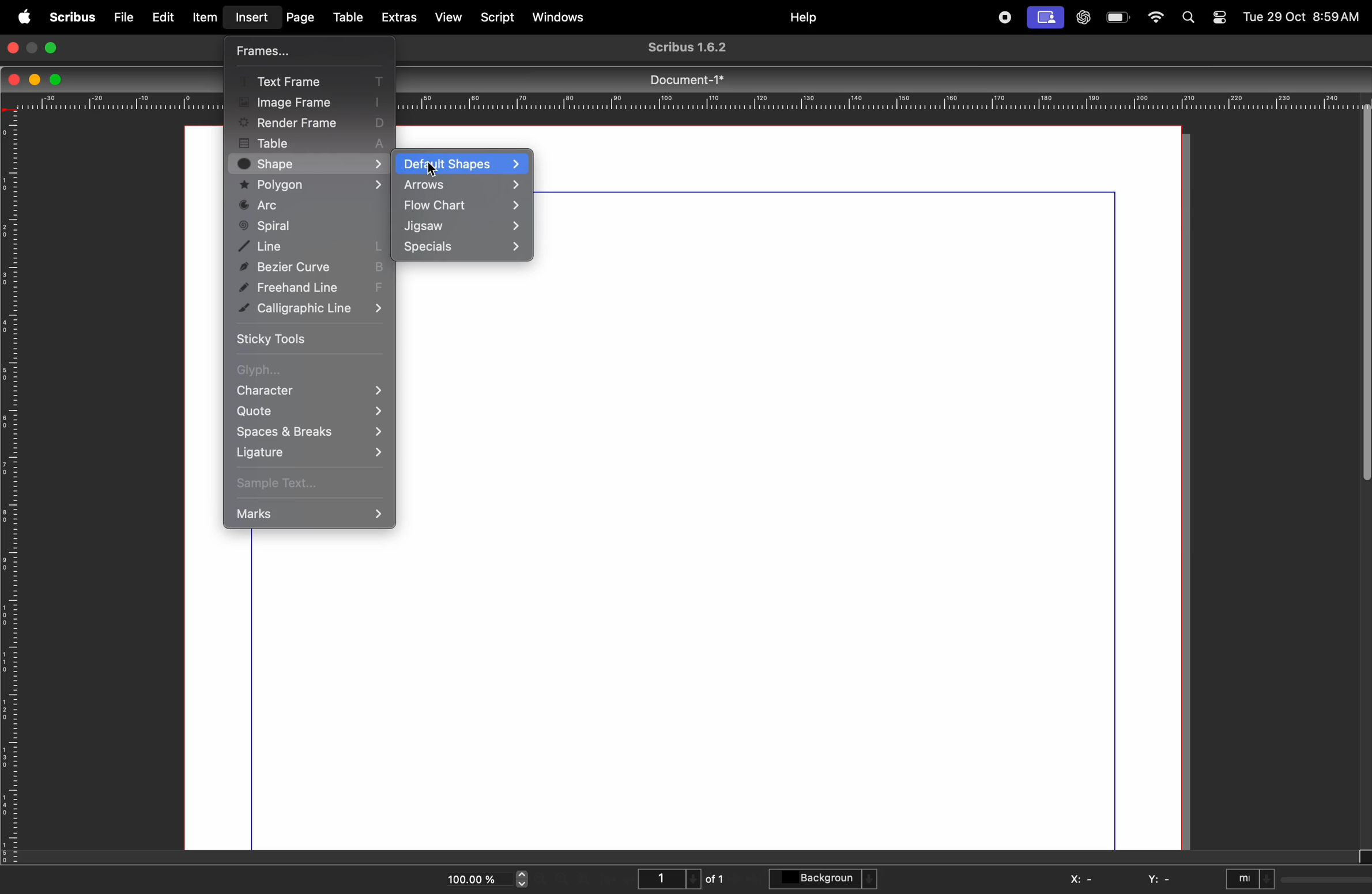  I want to click on freehand line   F, so click(312, 286).